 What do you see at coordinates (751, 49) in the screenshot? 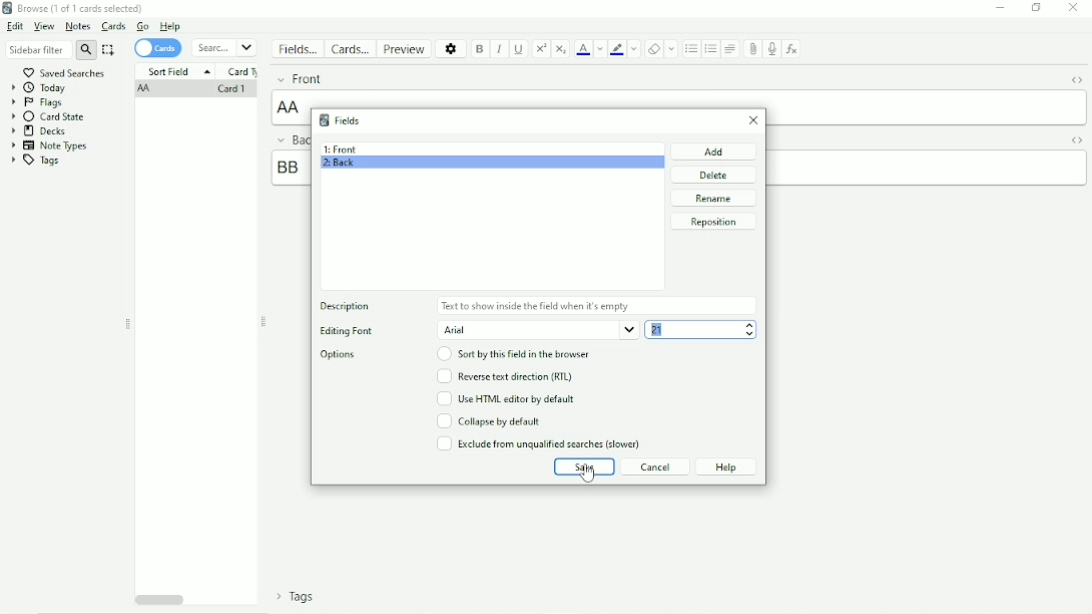
I see `Attach picture/audio/video` at bounding box center [751, 49].